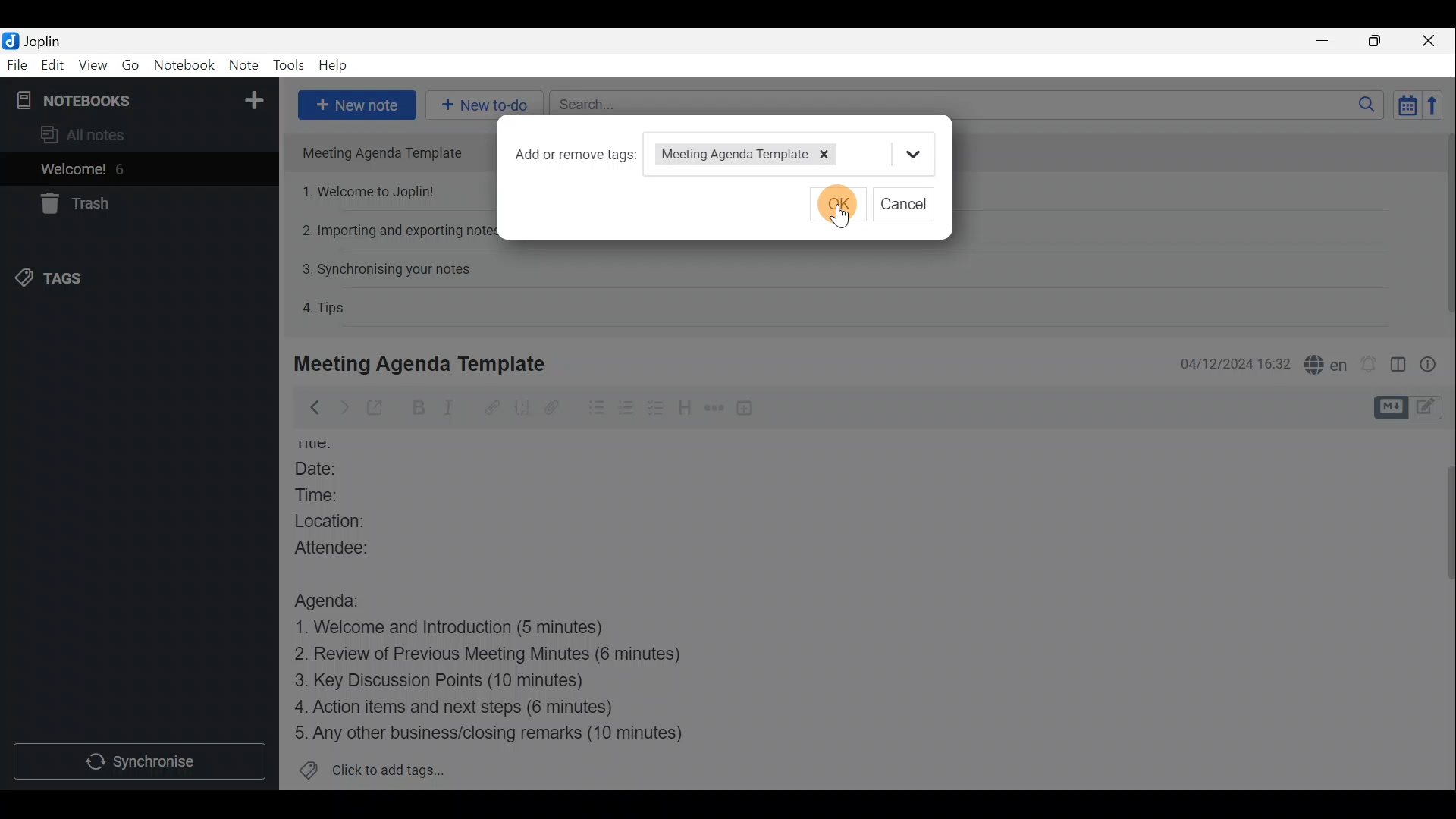  What do you see at coordinates (1228, 362) in the screenshot?
I see `04/12/2024 16:32` at bounding box center [1228, 362].